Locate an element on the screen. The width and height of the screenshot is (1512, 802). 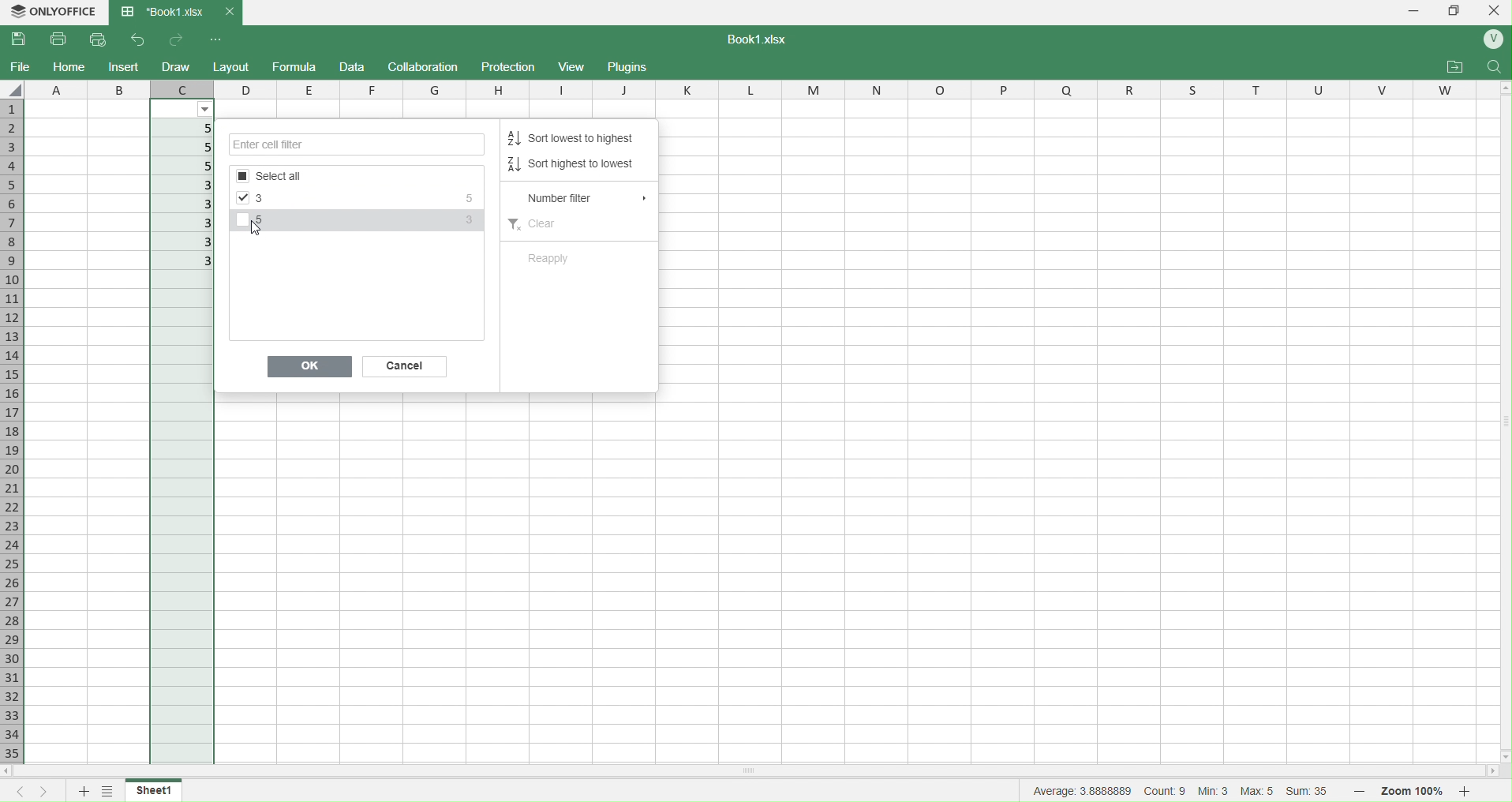
average is located at coordinates (1083, 790).